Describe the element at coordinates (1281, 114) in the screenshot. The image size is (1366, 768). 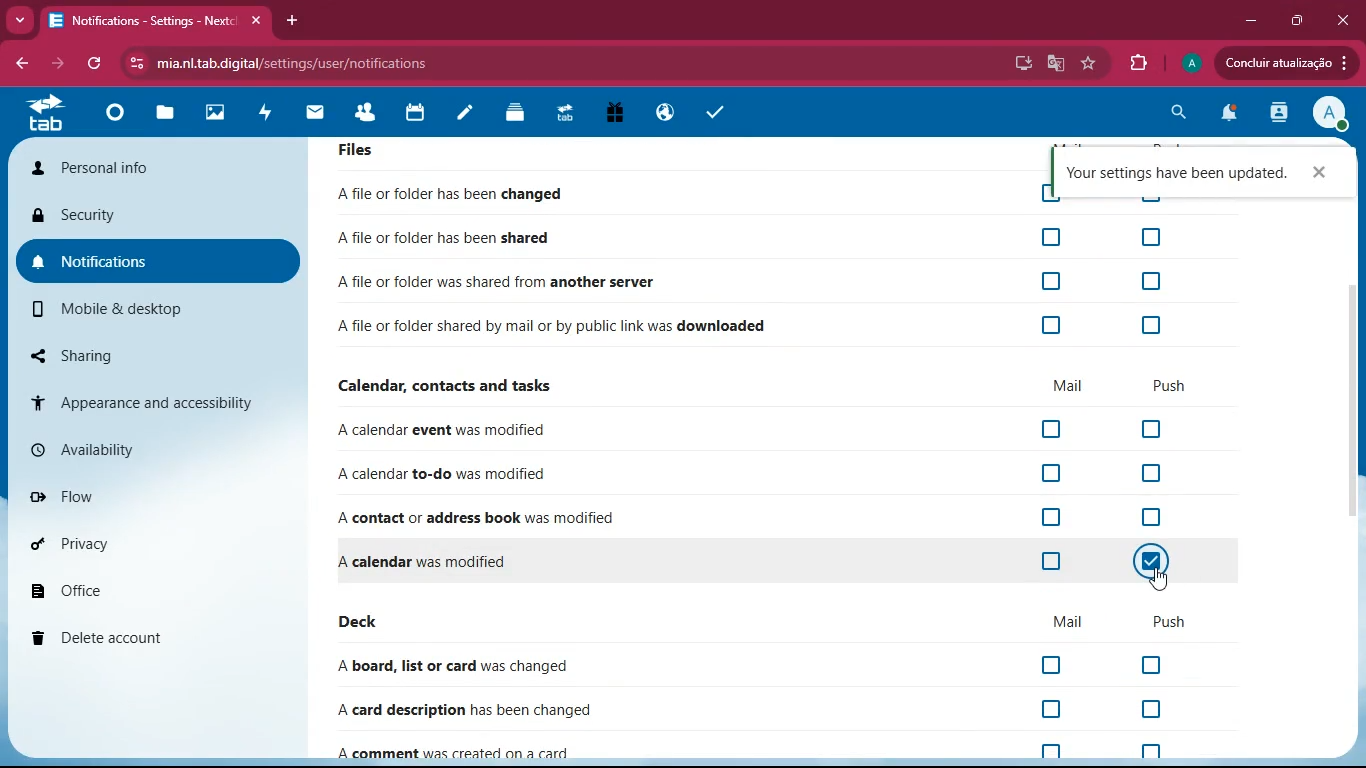
I see `activity` at that location.